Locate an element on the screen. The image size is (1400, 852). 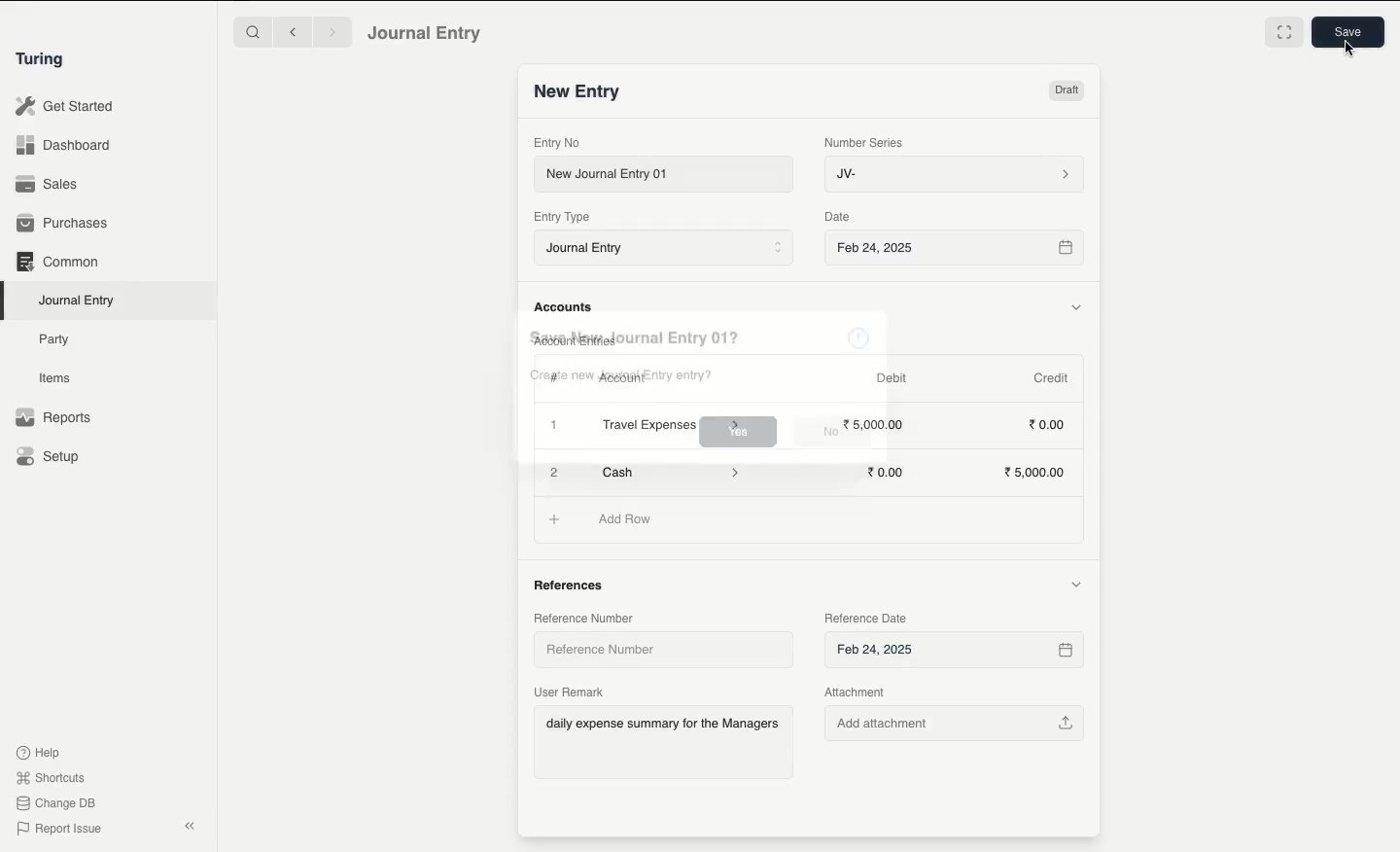
Party is located at coordinates (59, 340).